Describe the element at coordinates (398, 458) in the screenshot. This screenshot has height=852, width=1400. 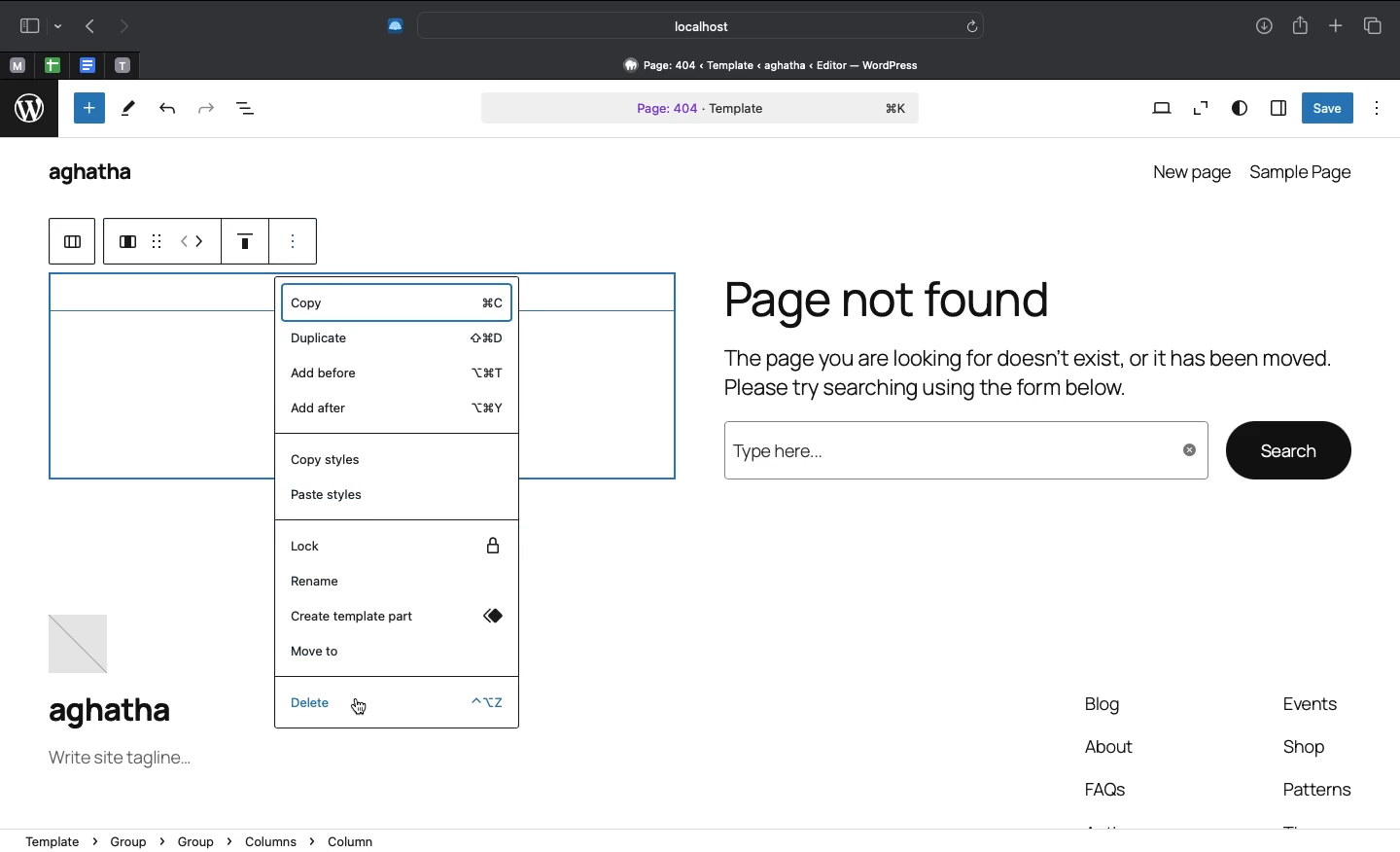
I see `copy styles` at that location.